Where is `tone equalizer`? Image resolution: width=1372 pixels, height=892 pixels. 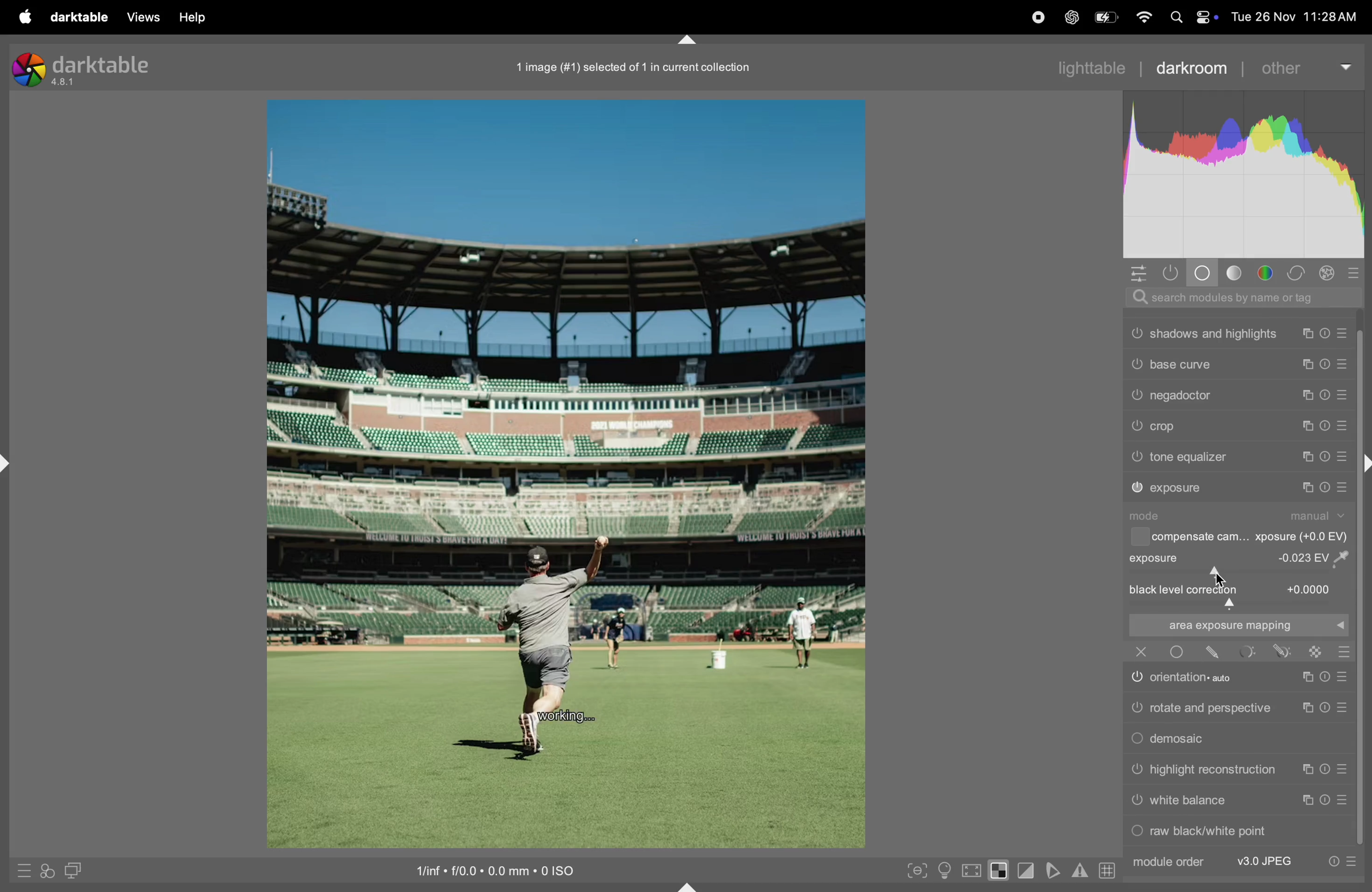
tone equalizer is located at coordinates (1190, 457).